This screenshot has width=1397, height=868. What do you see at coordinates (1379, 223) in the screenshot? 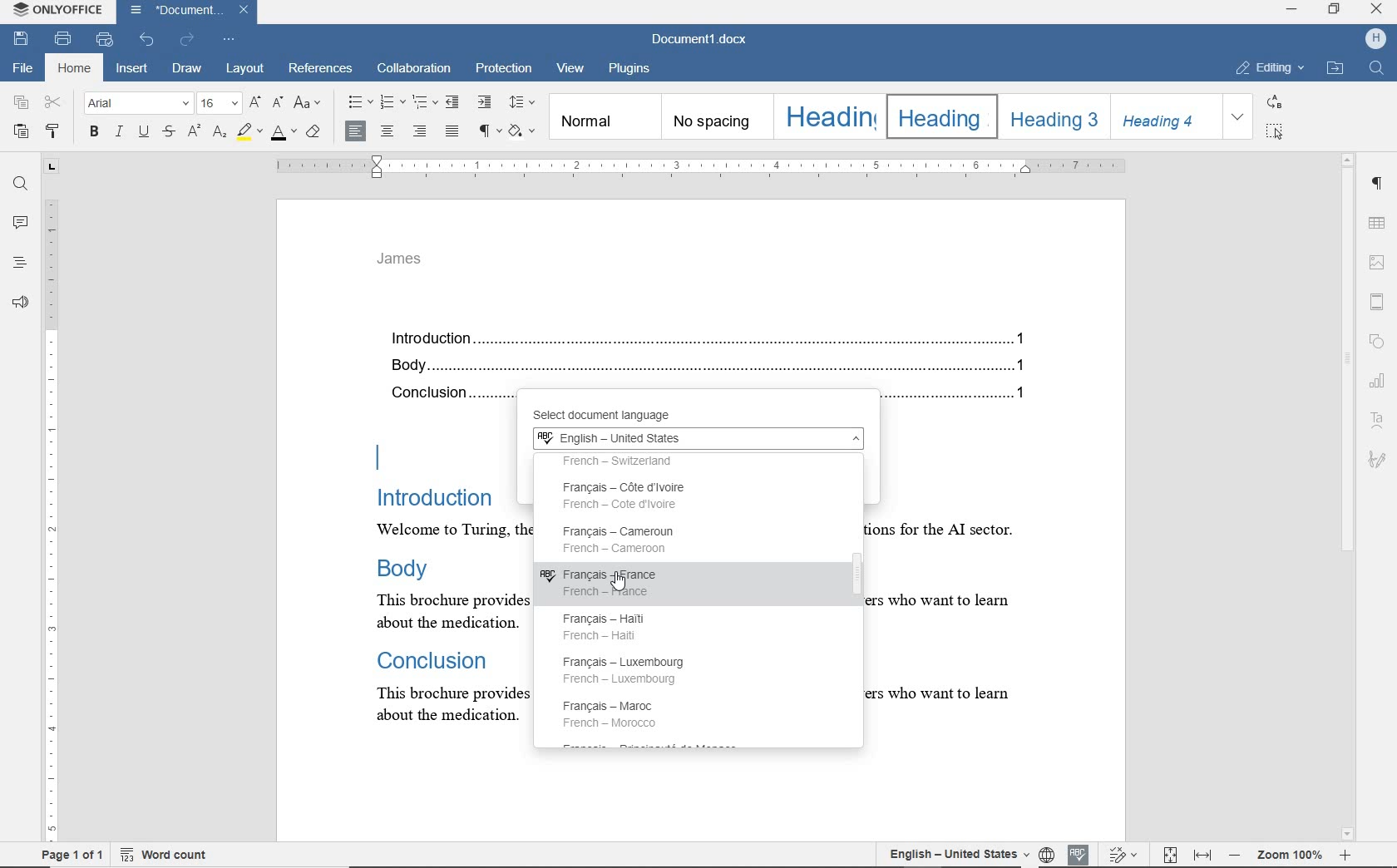
I see `table` at bounding box center [1379, 223].